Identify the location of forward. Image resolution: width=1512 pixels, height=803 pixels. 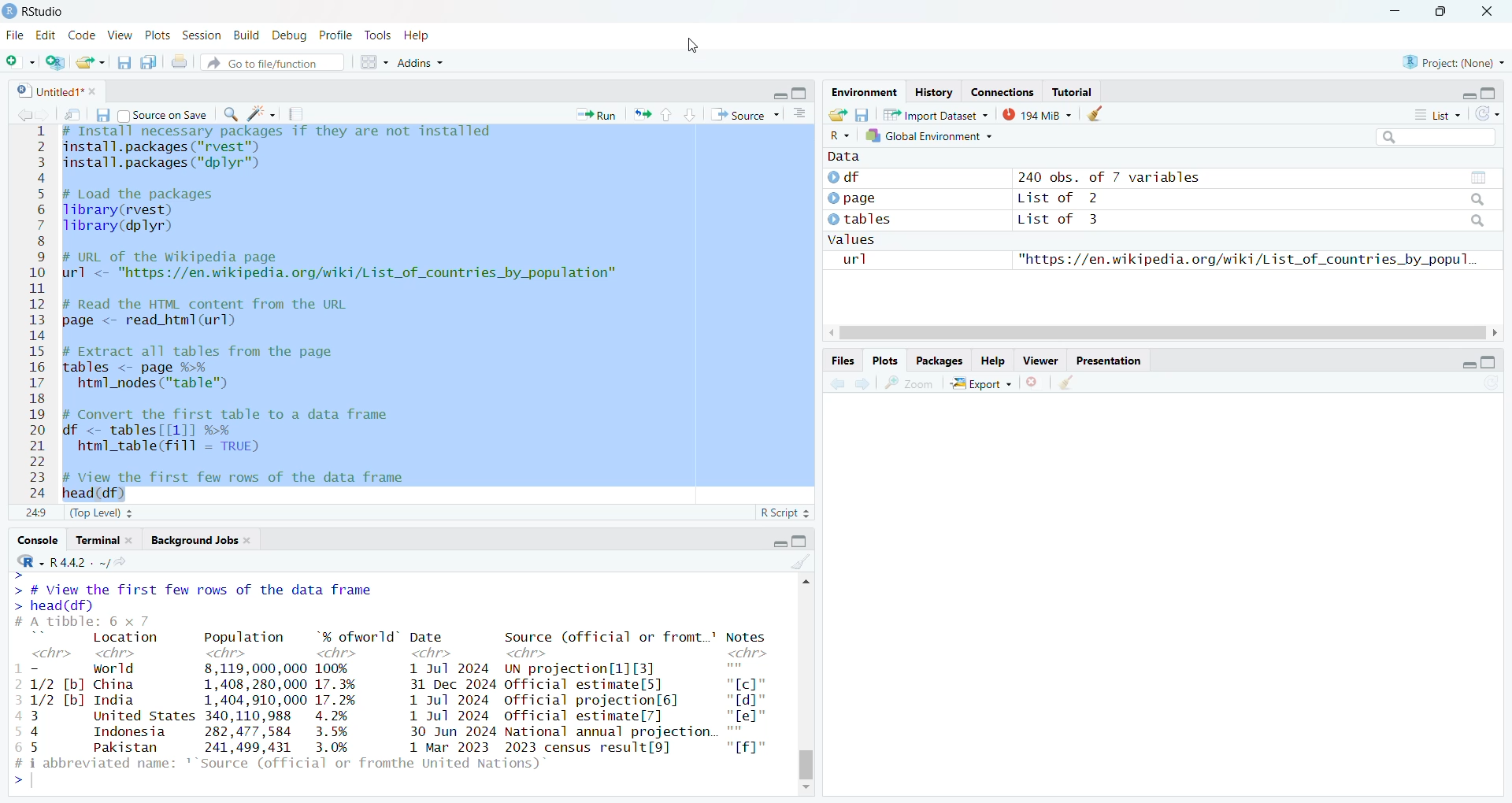
(863, 383).